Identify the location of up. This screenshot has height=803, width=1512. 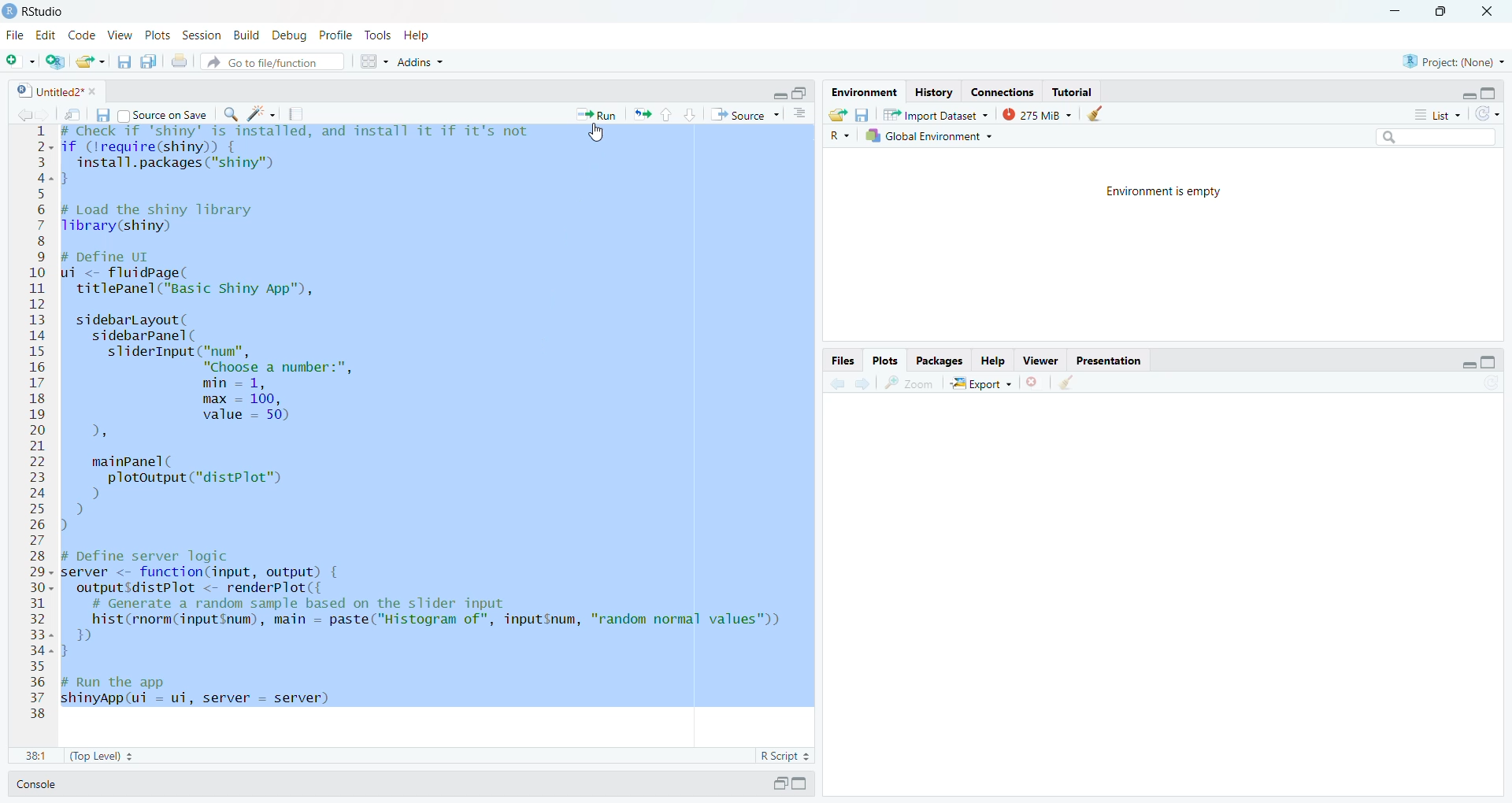
(668, 115).